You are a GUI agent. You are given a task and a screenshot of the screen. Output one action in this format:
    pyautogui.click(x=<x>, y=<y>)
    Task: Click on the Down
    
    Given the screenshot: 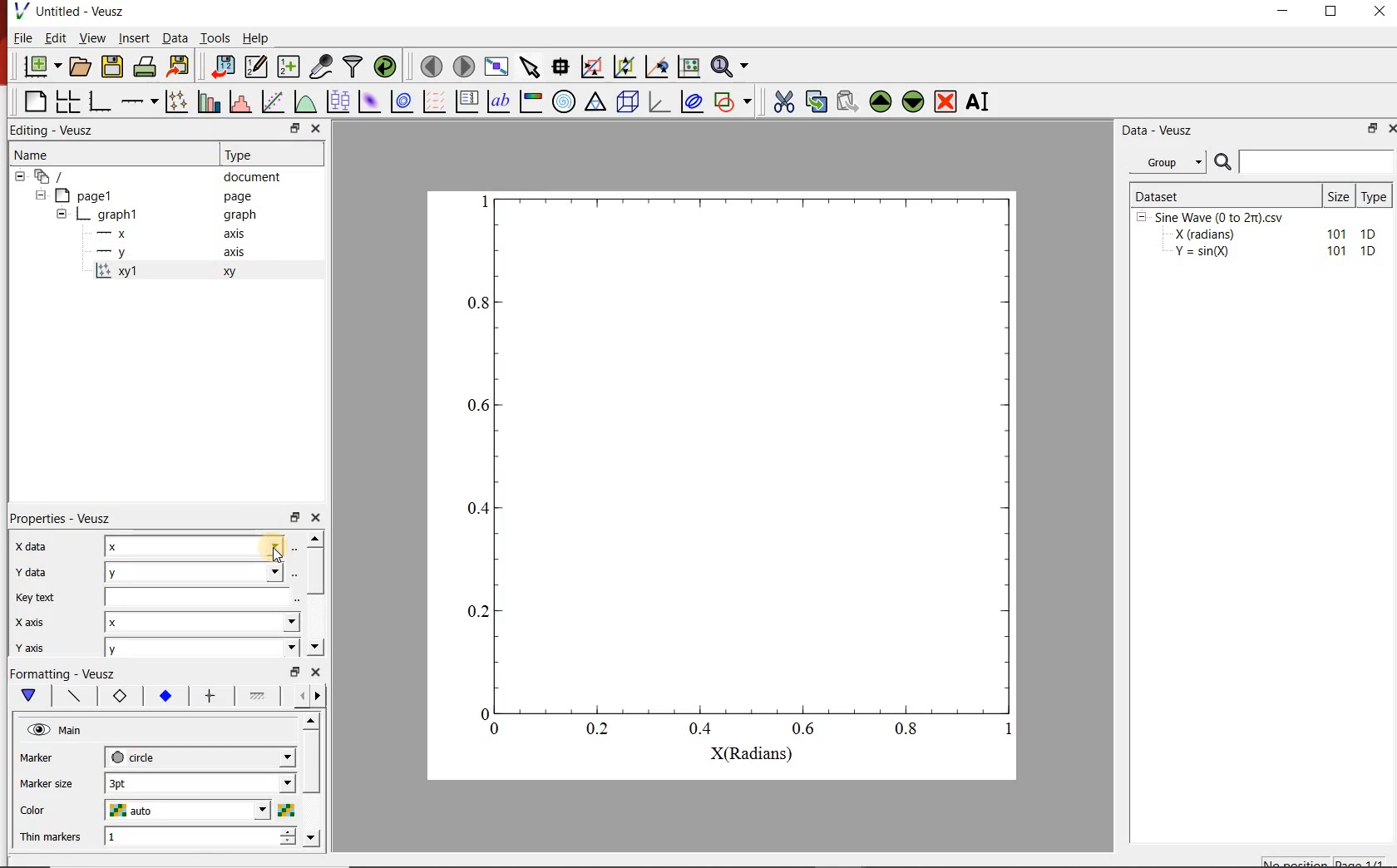 What is the action you would take?
    pyautogui.click(x=313, y=837)
    